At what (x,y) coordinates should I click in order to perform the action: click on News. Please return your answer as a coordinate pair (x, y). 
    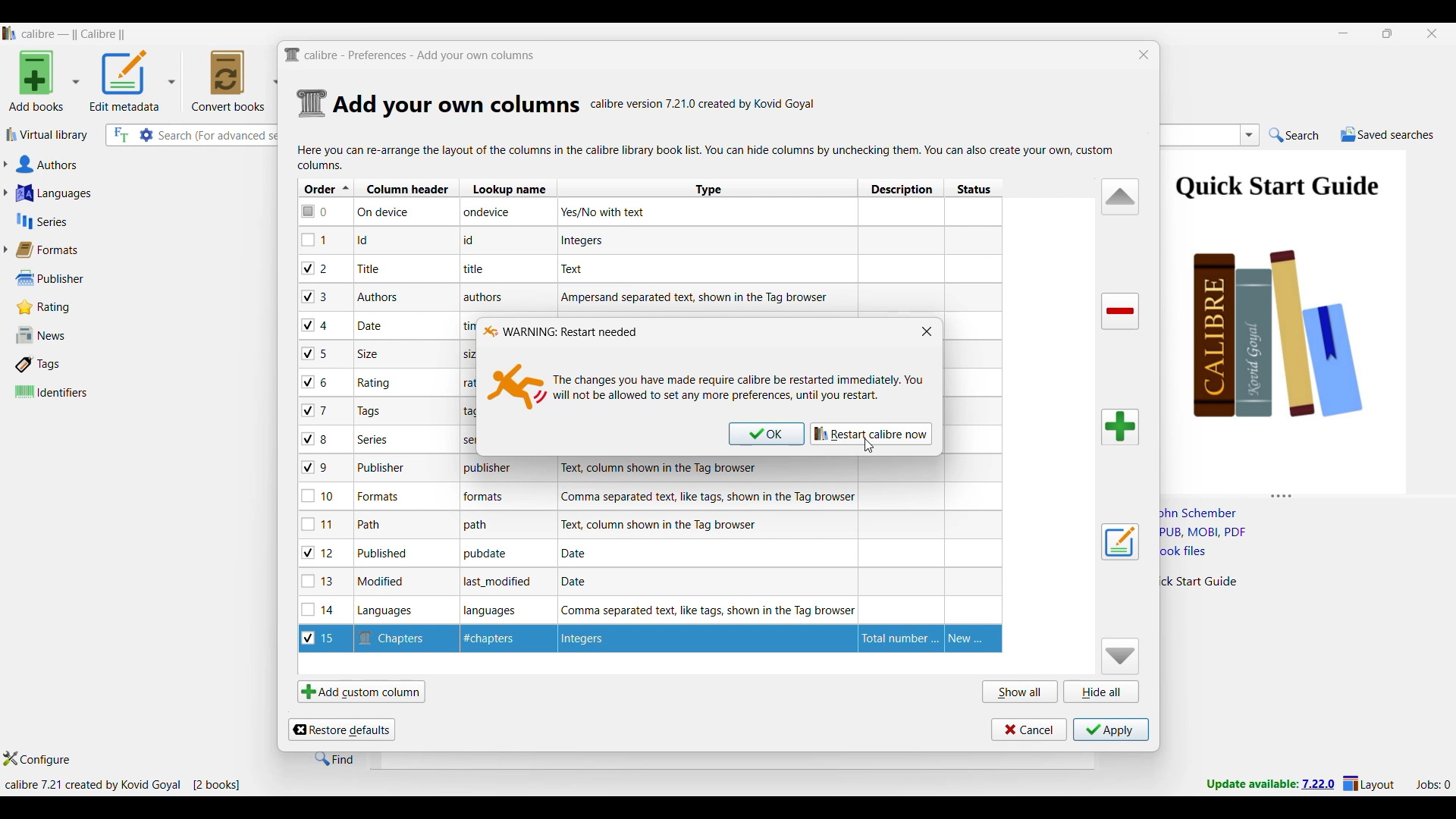
    Looking at the image, I should click on (71, 335).